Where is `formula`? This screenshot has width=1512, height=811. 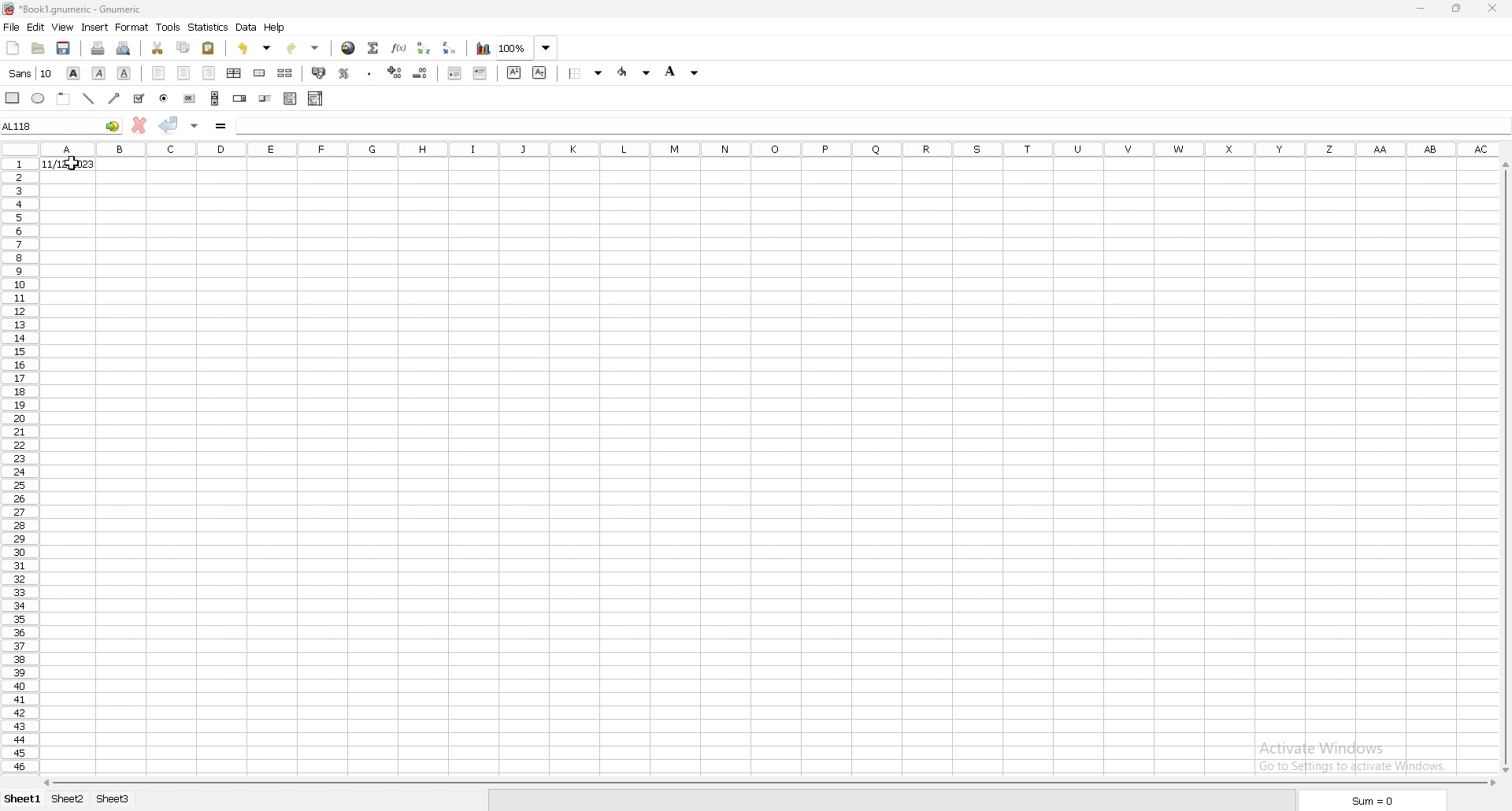
formula is located at coordinates (220, 126).